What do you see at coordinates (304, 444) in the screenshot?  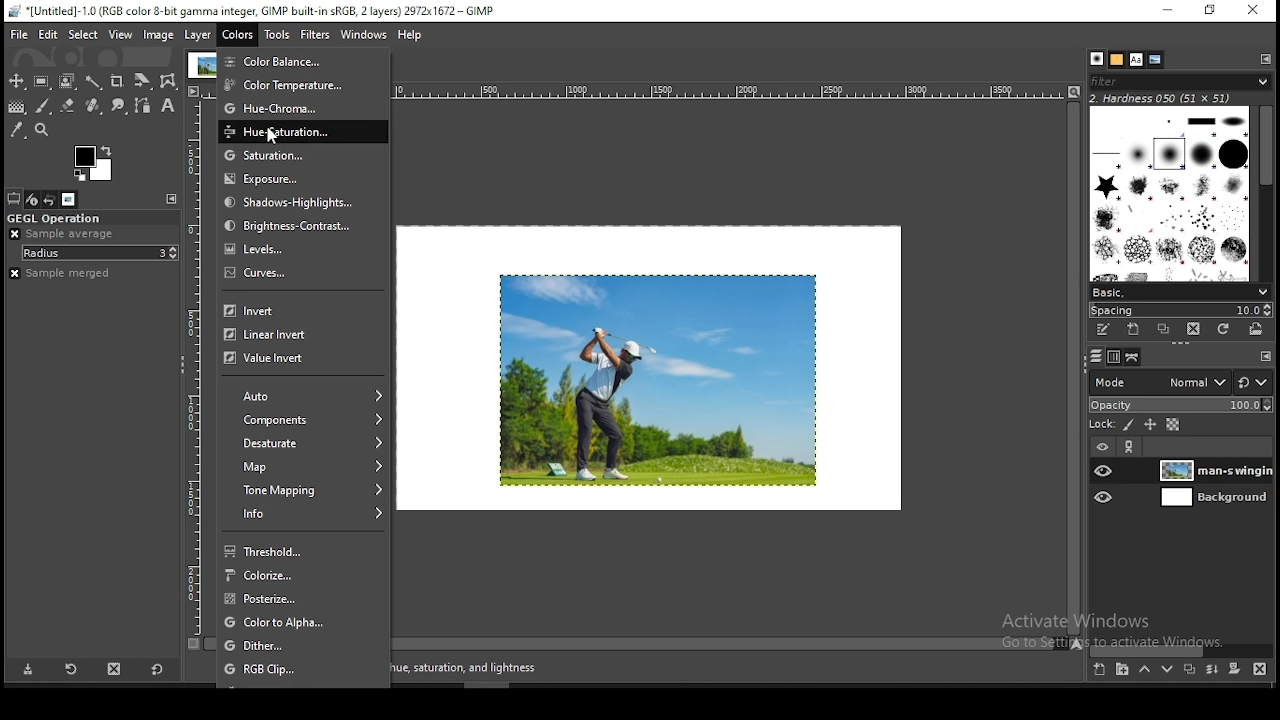 I see `desaturate` at bounding box center [304, 444].